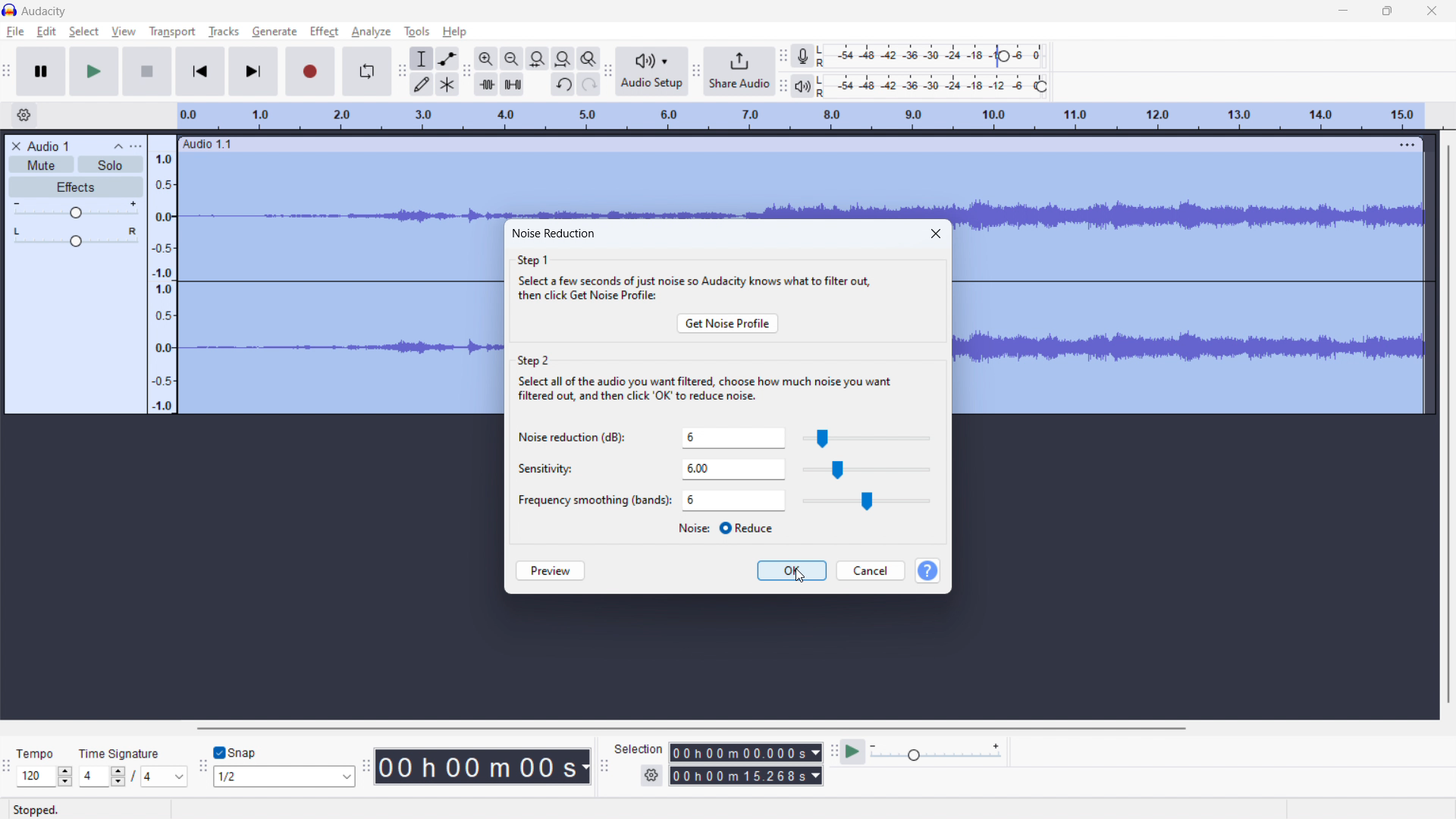  What do you see at coordinates (137, 146) in the screenshot?
I see `view menu` at bounding box center [137, 146].